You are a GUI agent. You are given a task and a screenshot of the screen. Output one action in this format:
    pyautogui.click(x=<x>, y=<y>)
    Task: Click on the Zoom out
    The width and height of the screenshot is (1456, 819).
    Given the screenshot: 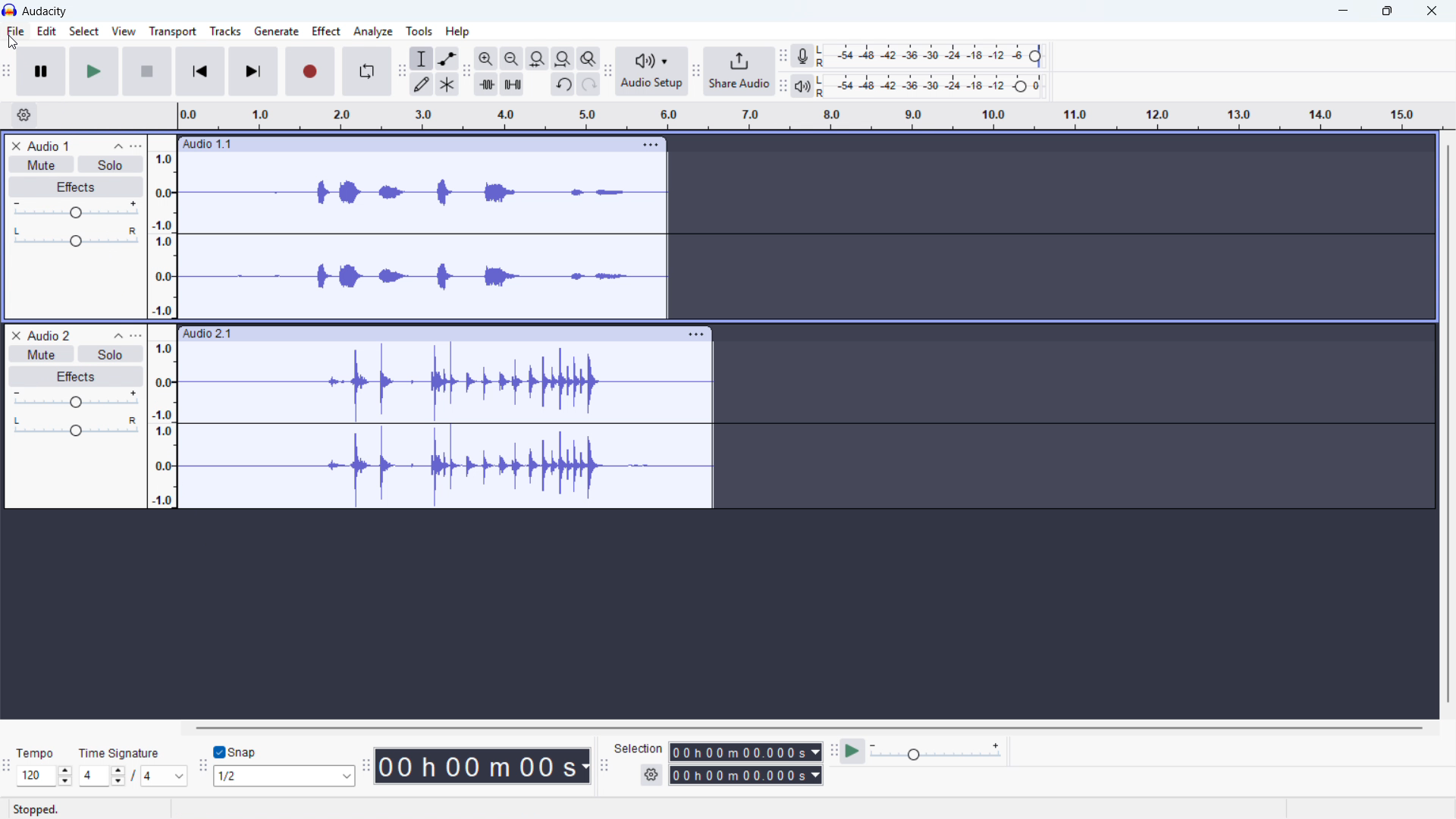 What is the action you would take?
    pyautogui.click(x=512, y=58)
    